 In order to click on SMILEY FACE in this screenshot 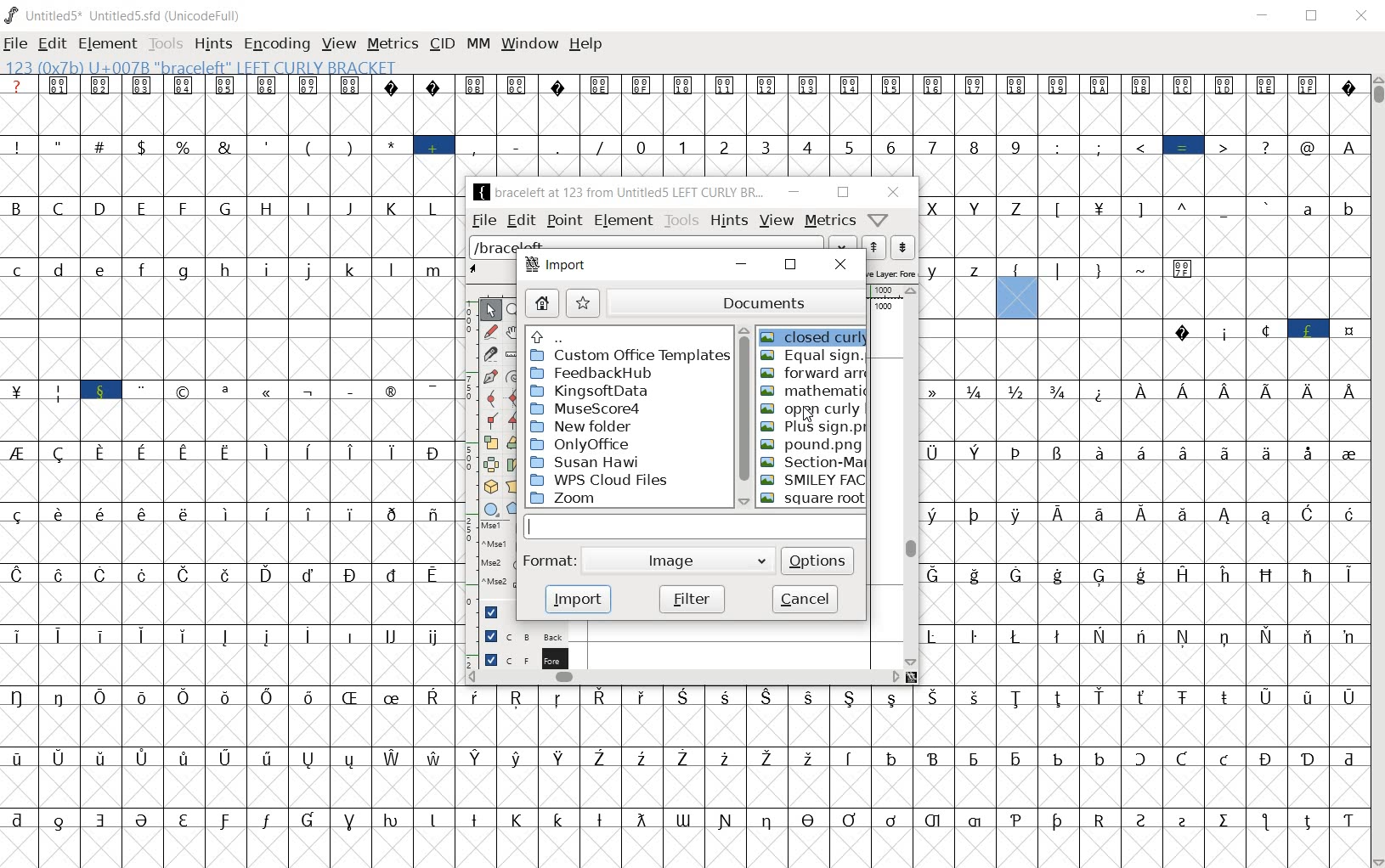, I will do `click(813, 479)`.